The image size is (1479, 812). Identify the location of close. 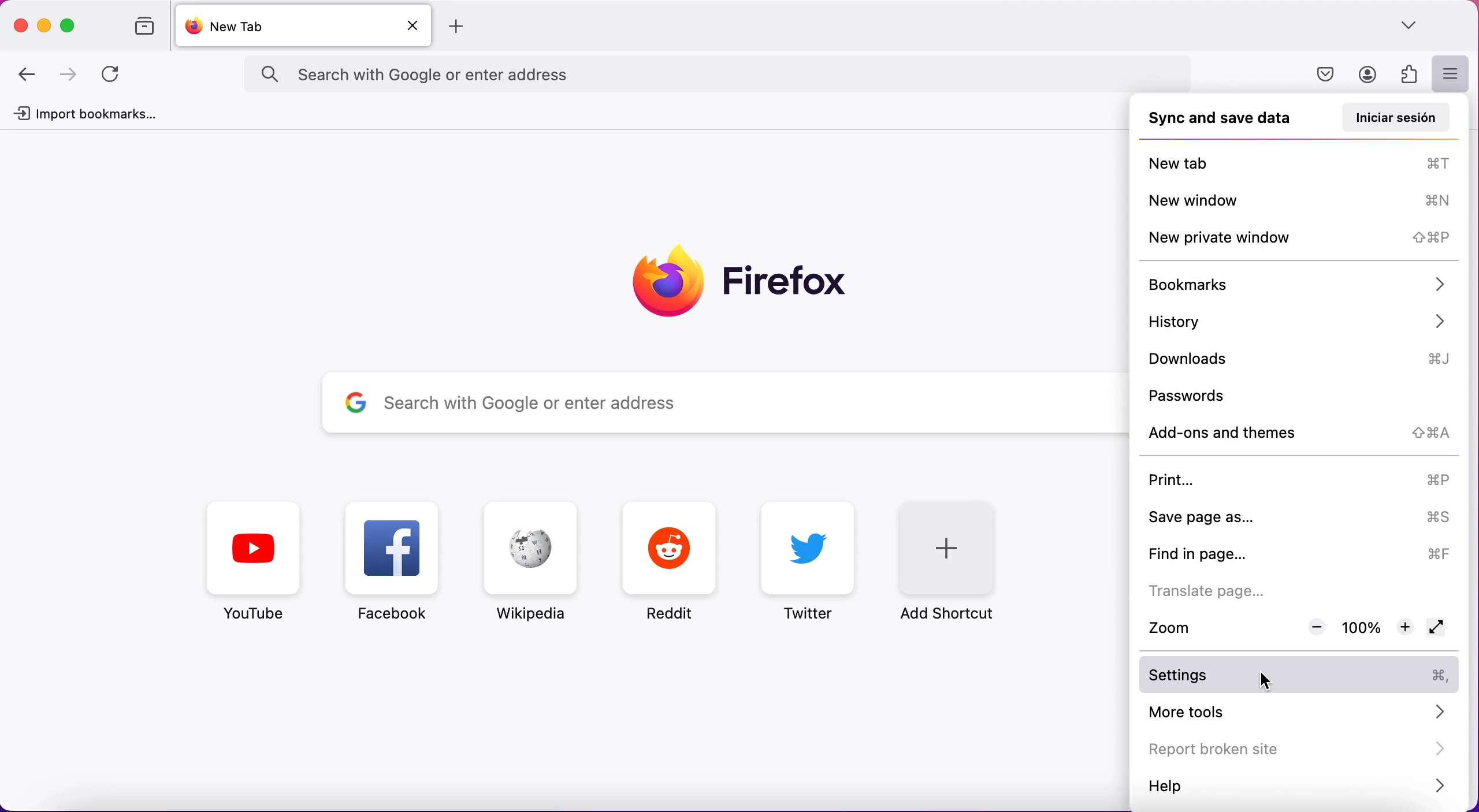
(21, 22).